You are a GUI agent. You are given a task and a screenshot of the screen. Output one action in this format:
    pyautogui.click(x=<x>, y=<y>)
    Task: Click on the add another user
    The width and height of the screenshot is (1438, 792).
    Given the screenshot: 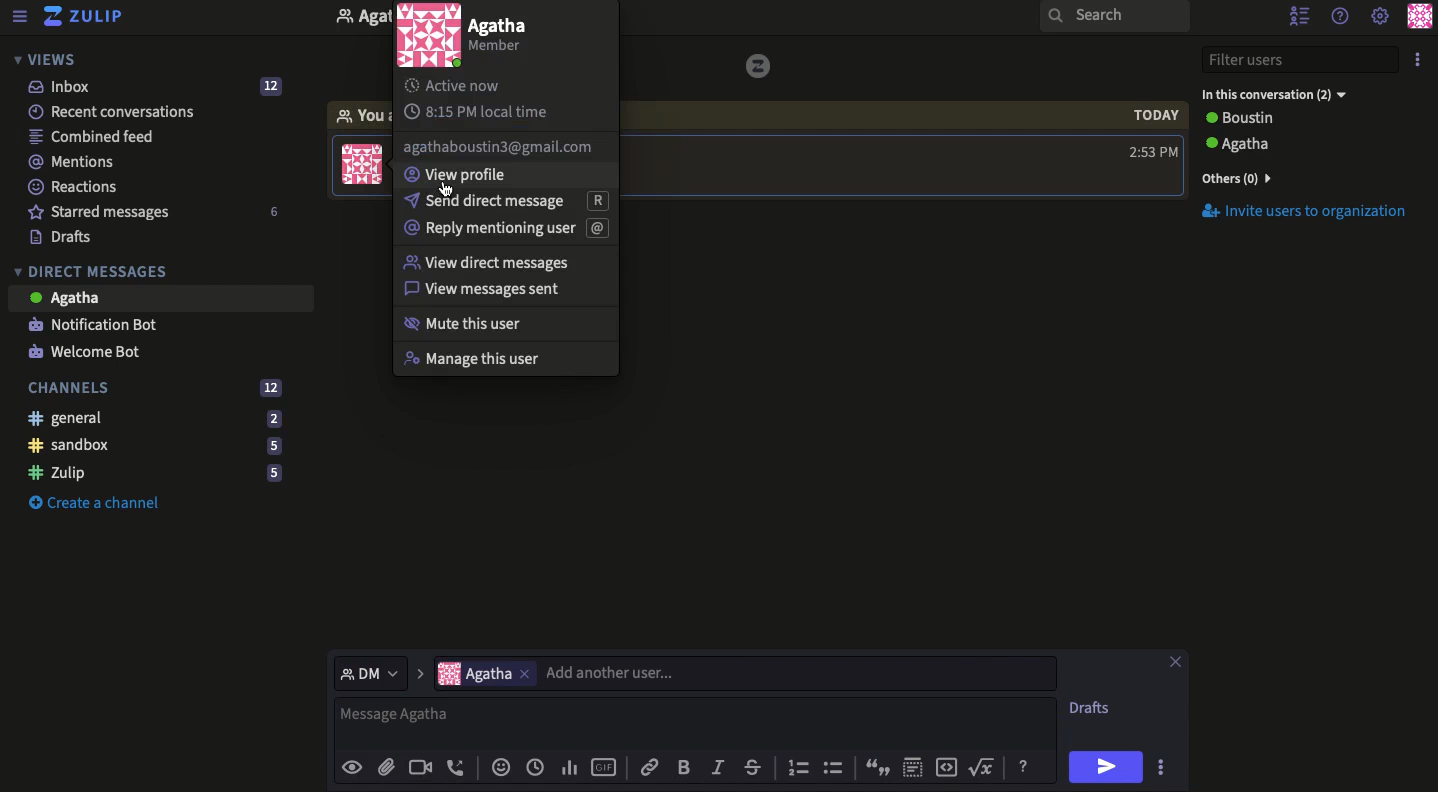 What is the action you would take?
    pyautogui.click(x=802, y=674)
    